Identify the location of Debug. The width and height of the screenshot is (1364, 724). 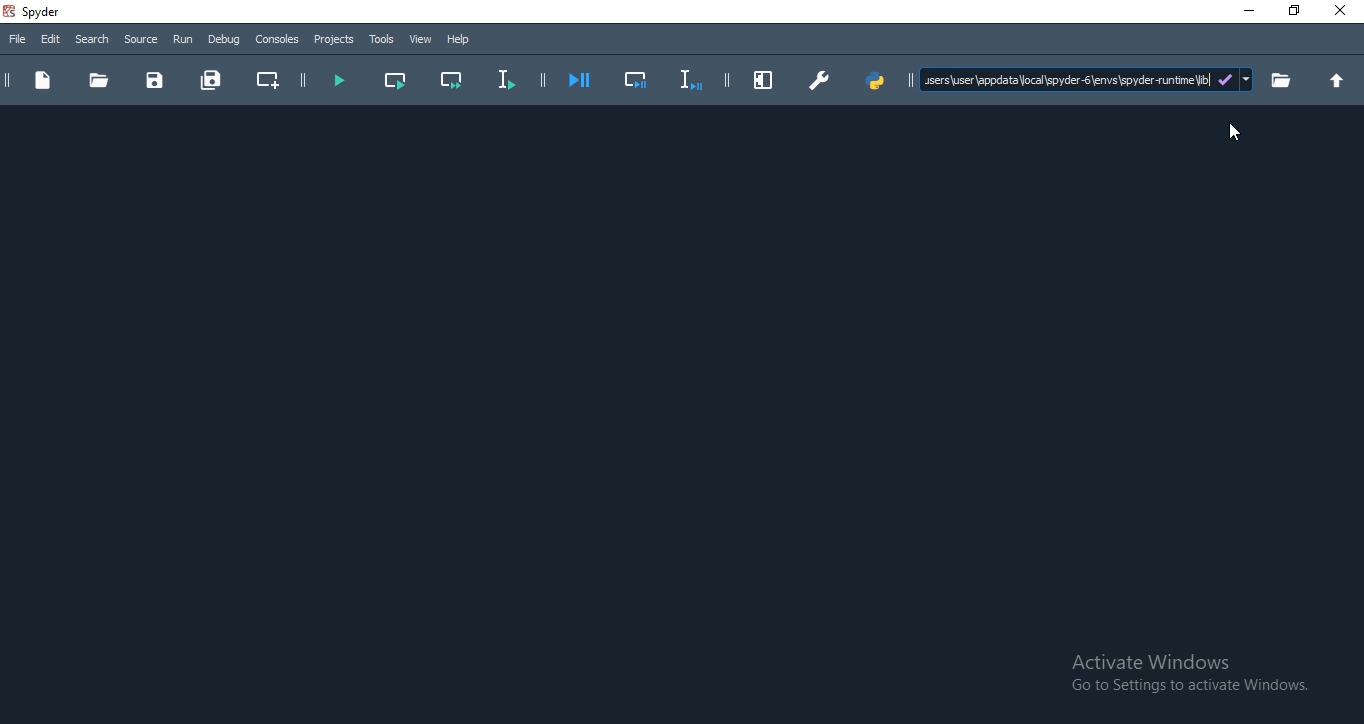
(224, 40).